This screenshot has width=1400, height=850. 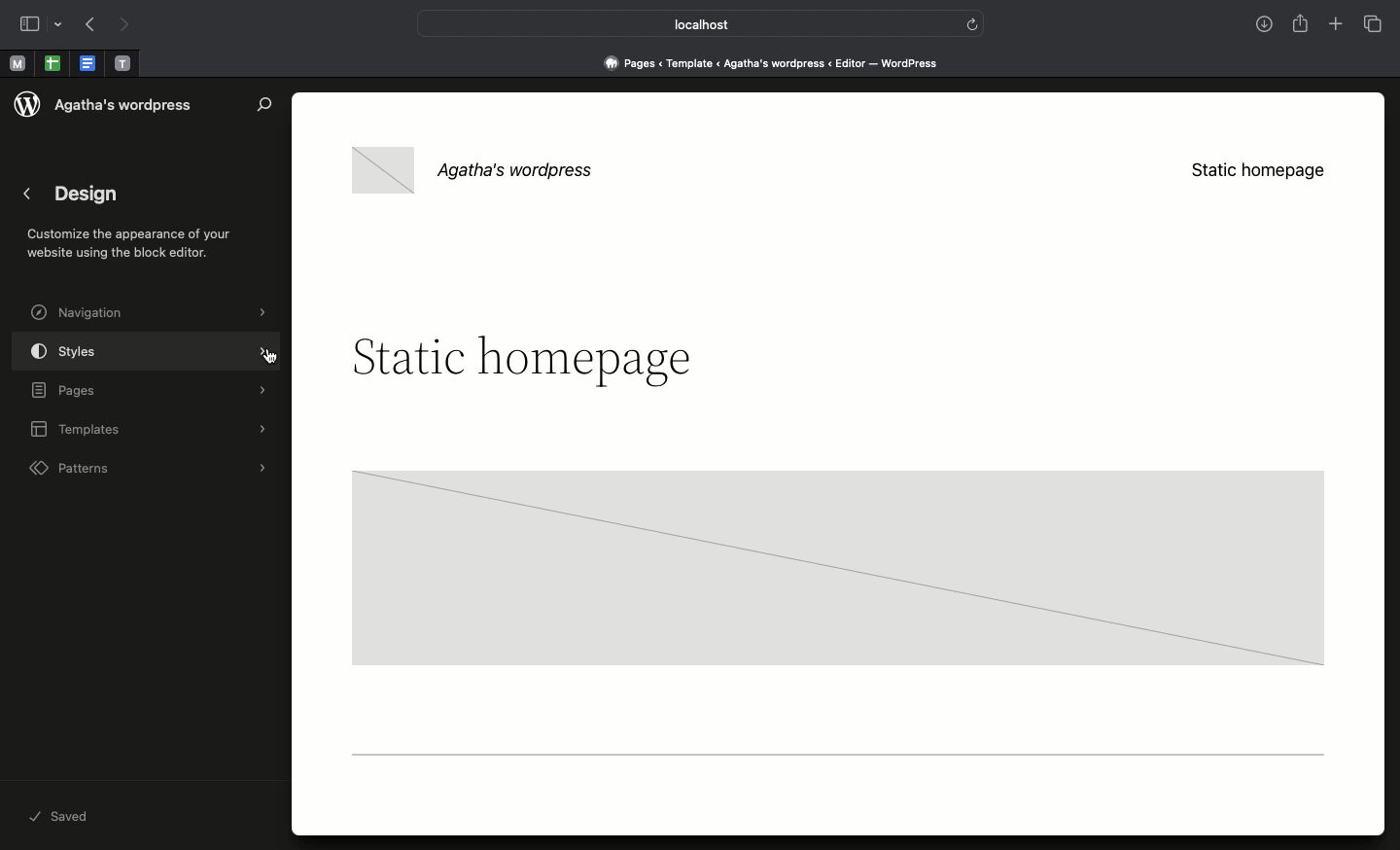 What do you see at coordinates (686, 23) in the screenshot?
I see `Local host` at bounding box center [686, 23].